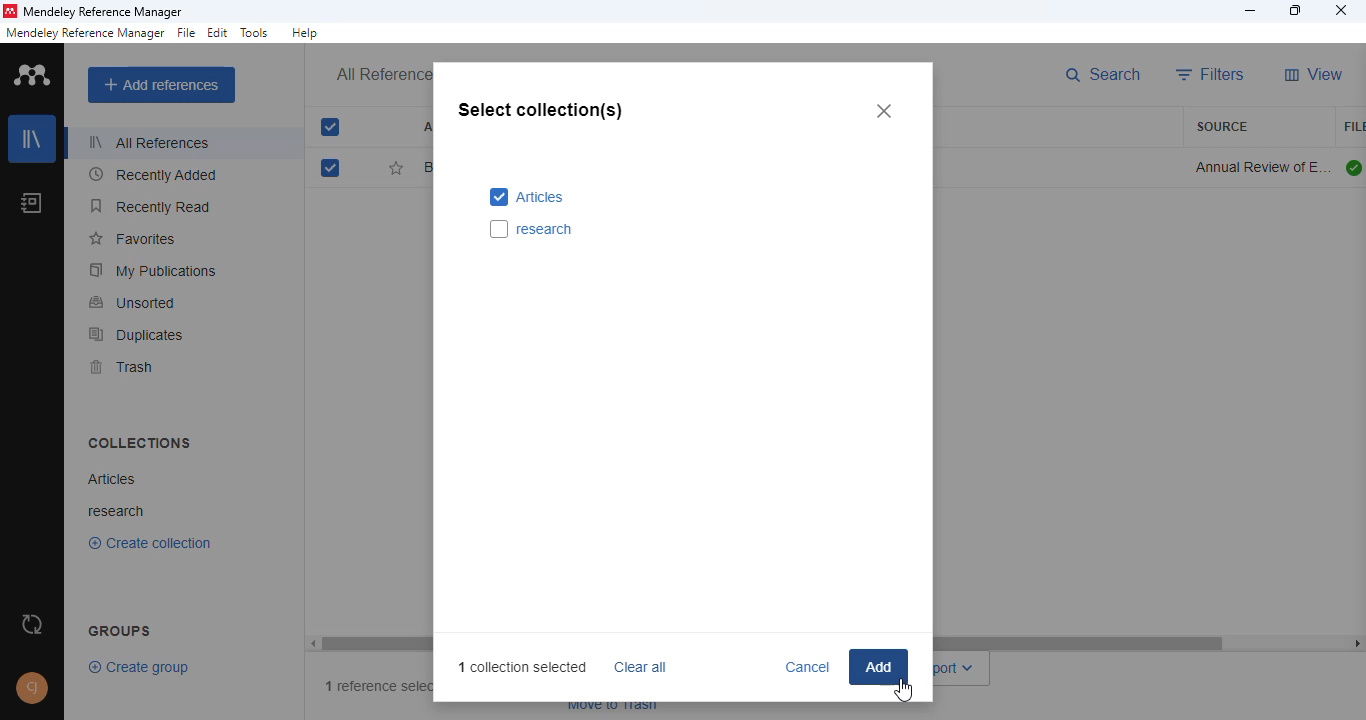  Describe the element at coordinates (884, 111) in the screenshot. I see `close` at that location.